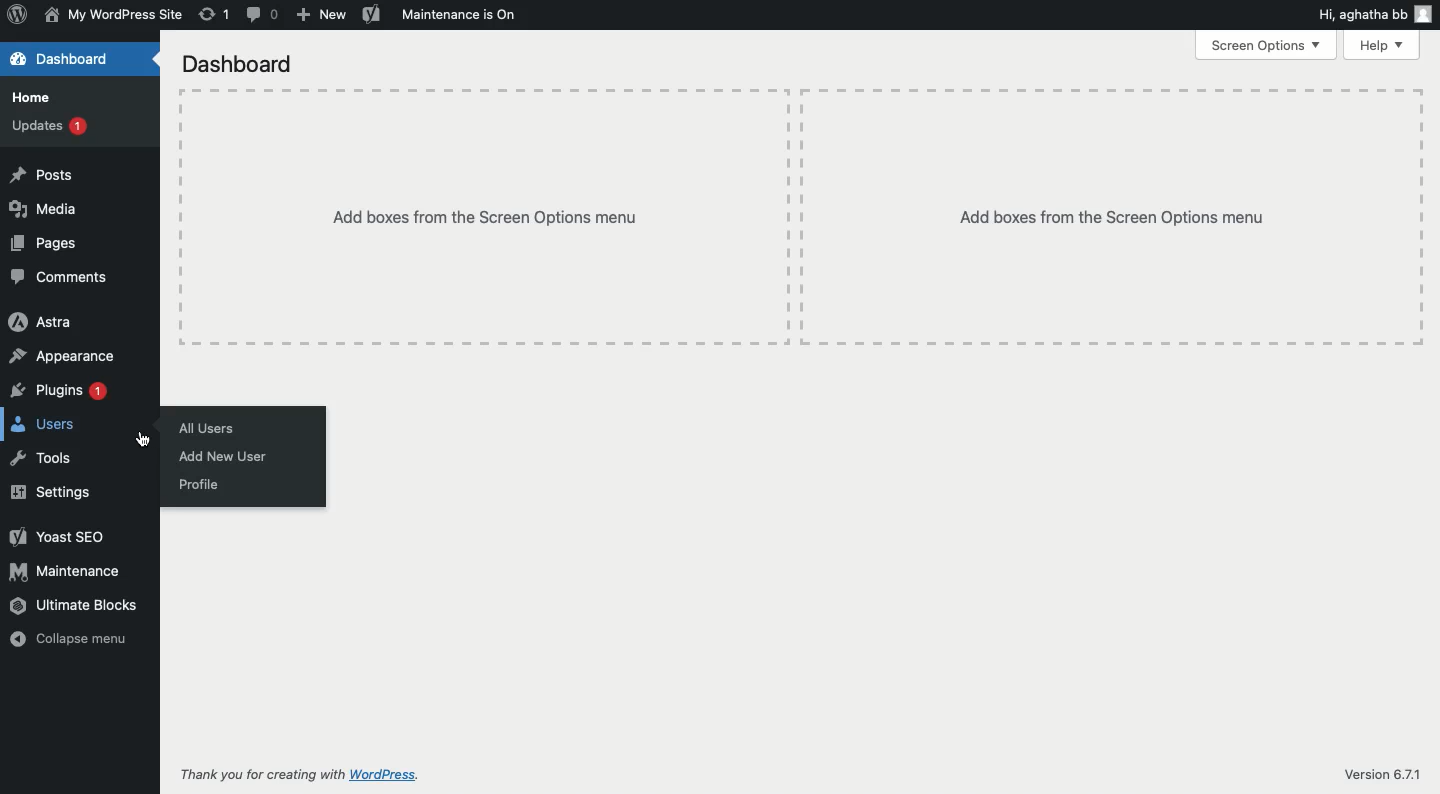  Describe the element at coordinates (238, 64) in the screenshot. I see `Dashboard` at that location.